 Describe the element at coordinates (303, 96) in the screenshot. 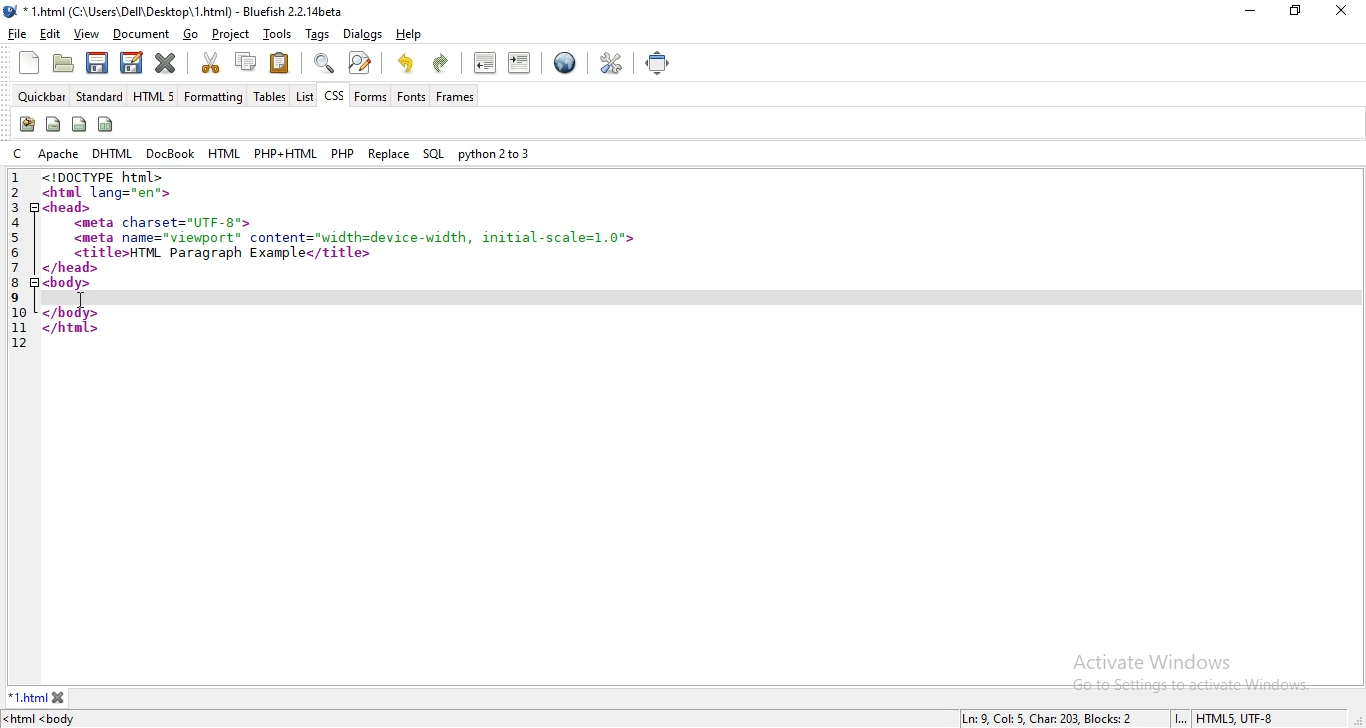

I see `list` at that location.